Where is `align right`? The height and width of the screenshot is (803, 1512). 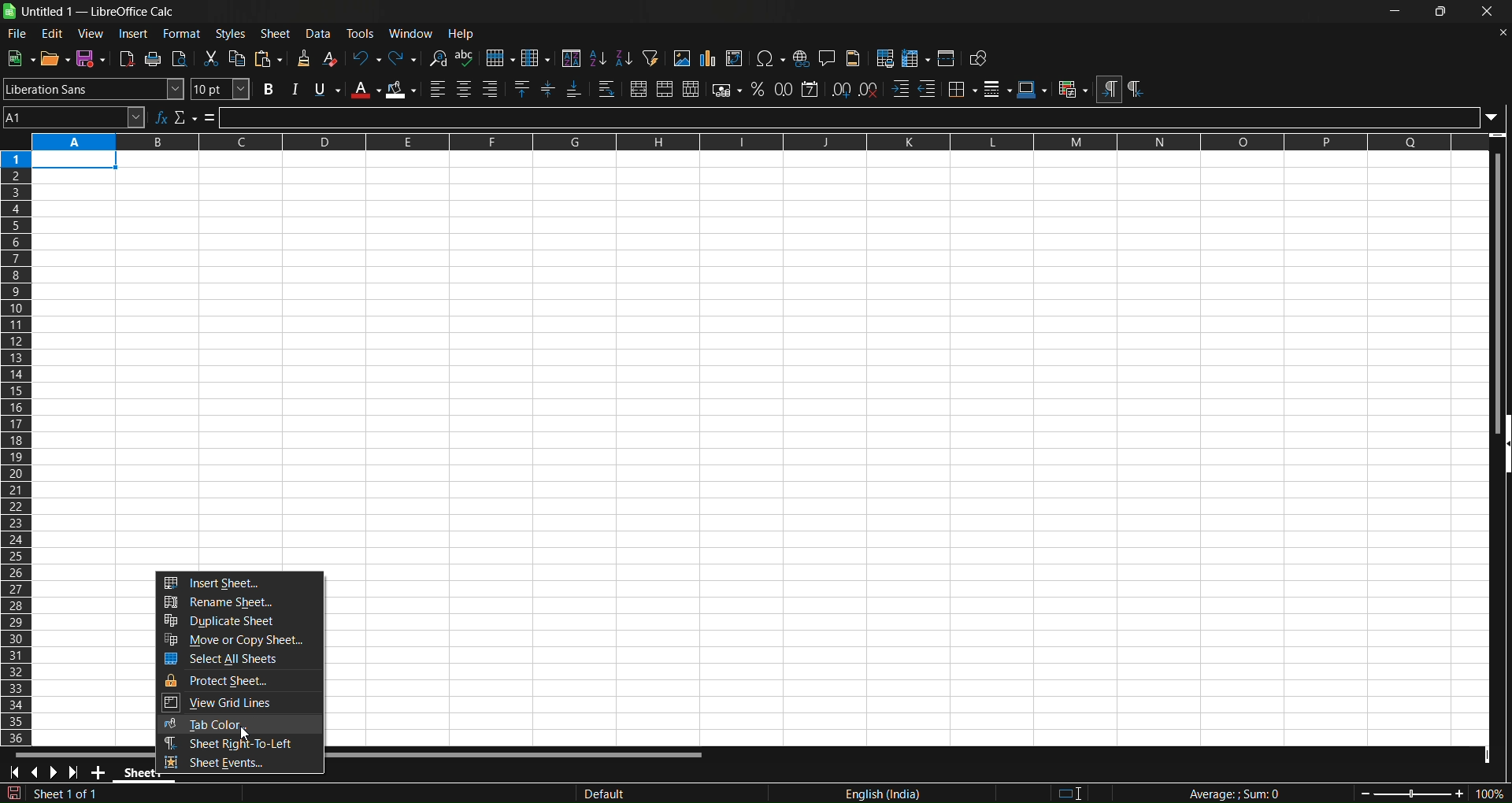 align right is located at coordinates (493, 90).